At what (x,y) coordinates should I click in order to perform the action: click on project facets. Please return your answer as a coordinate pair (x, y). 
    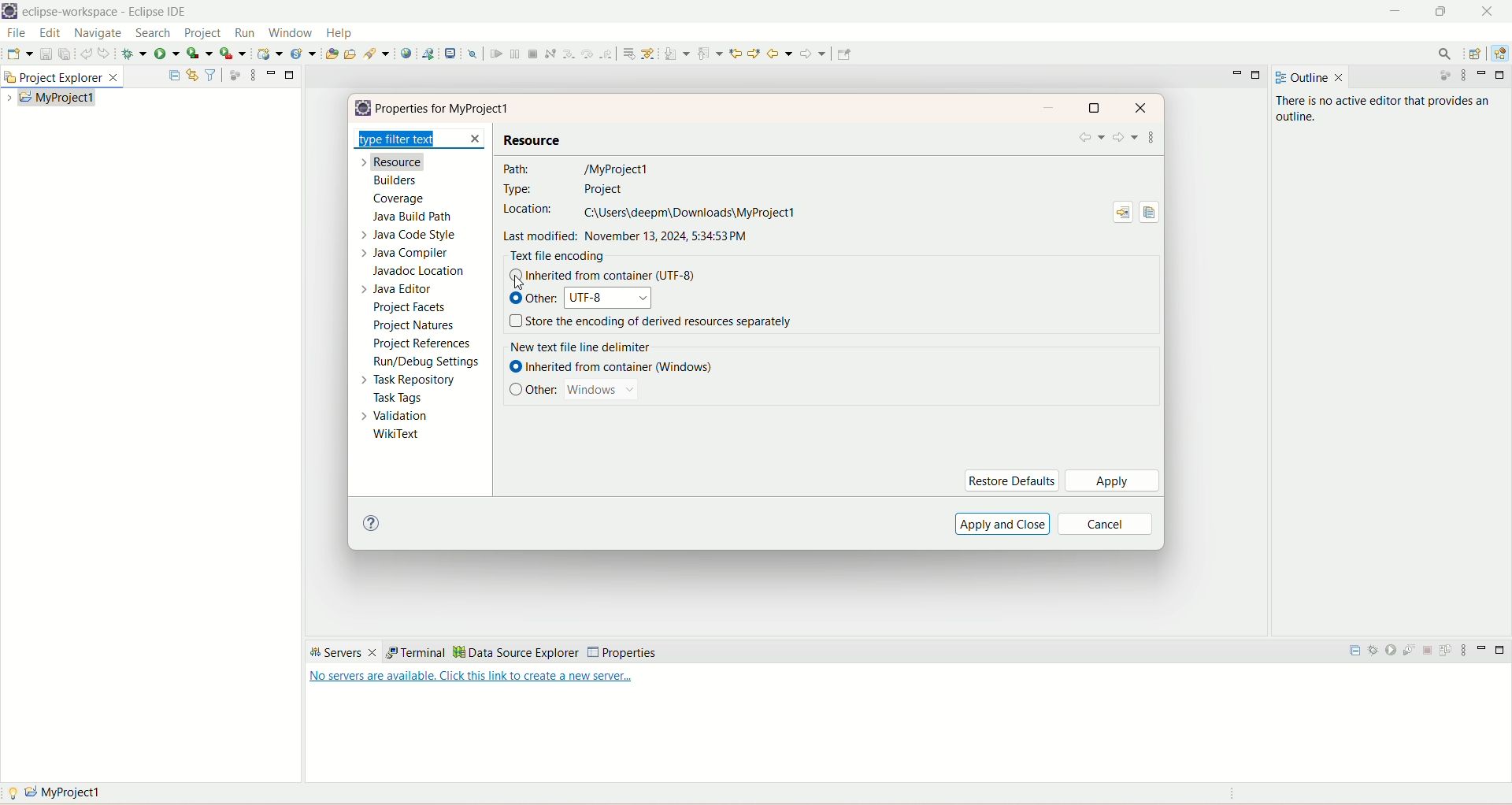
    Looking at the image, I should click on (409, 308).